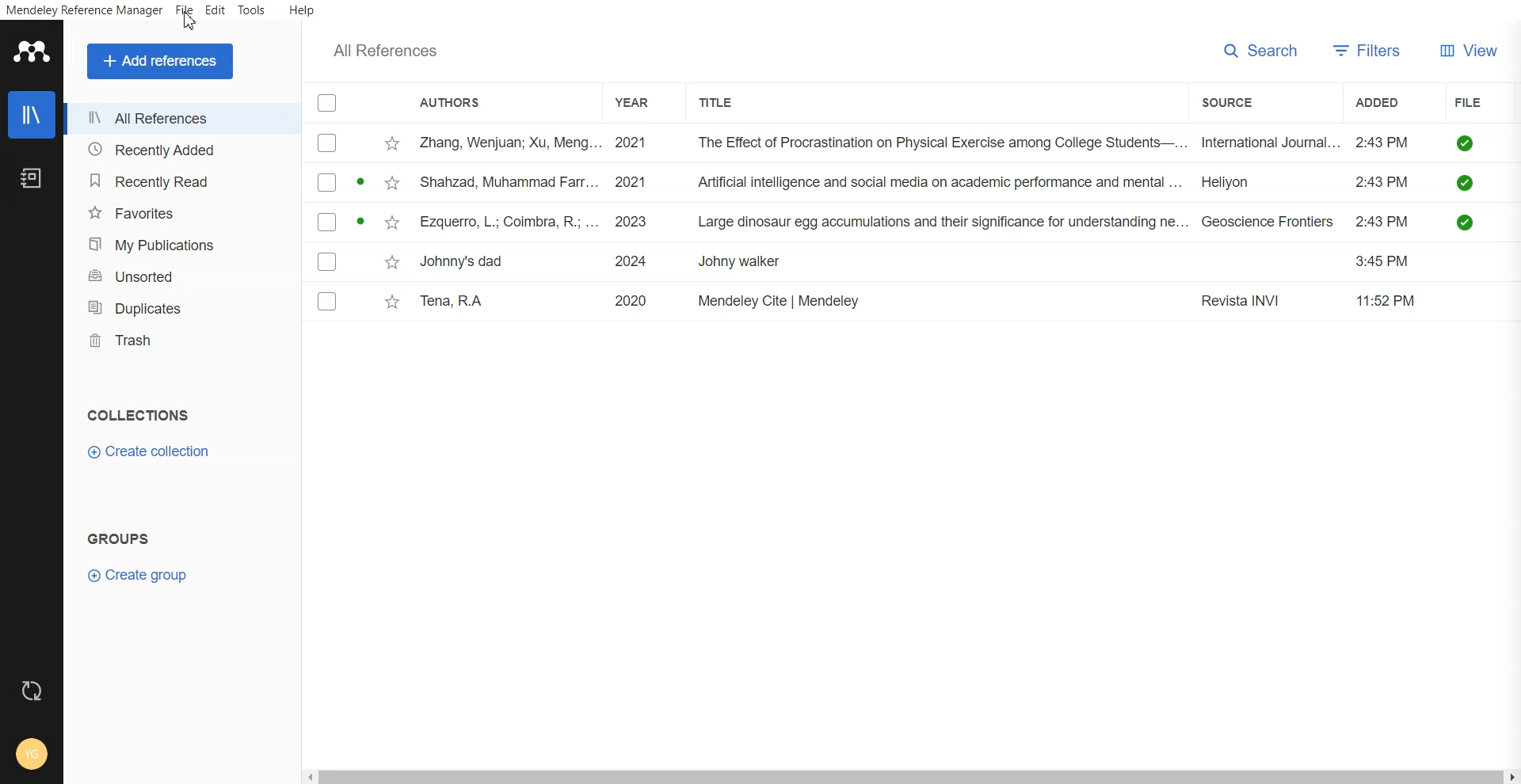 The height and width of the screenshot is (784, 1521). What do you see at coordinates (1271, 143) in the screenshot?
I see `International Journal...` at bounding box center [1271, 143].